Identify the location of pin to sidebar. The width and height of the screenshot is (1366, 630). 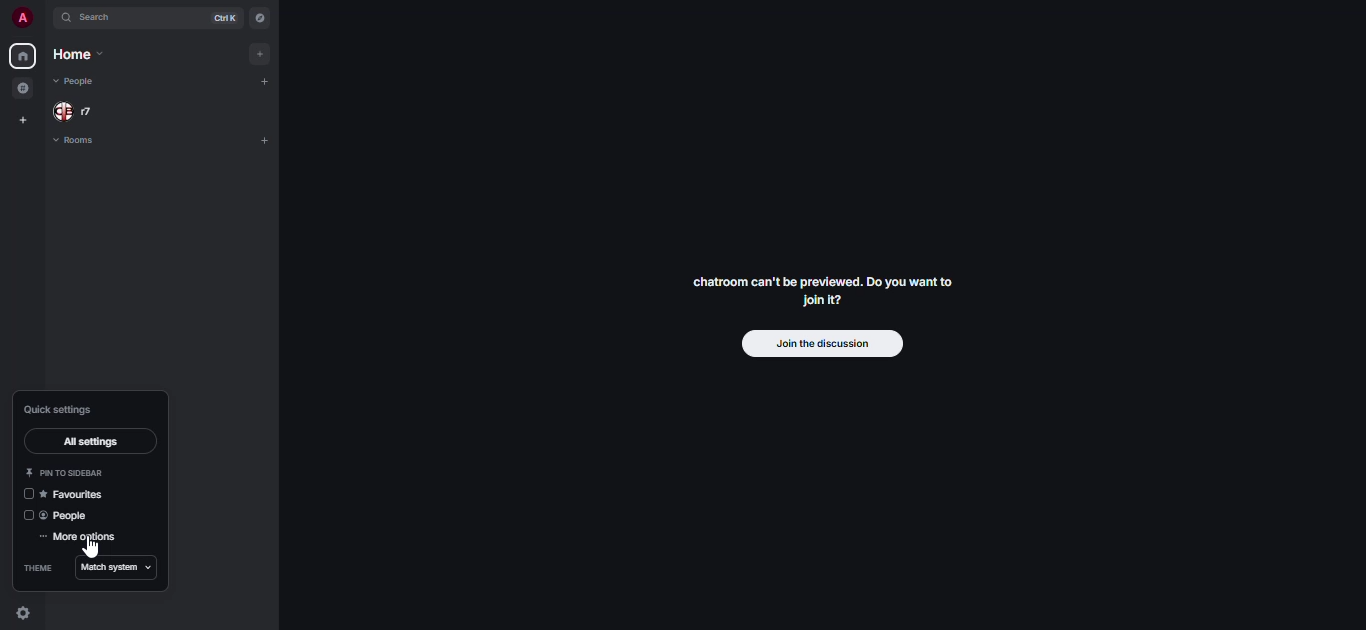
(69, 473).